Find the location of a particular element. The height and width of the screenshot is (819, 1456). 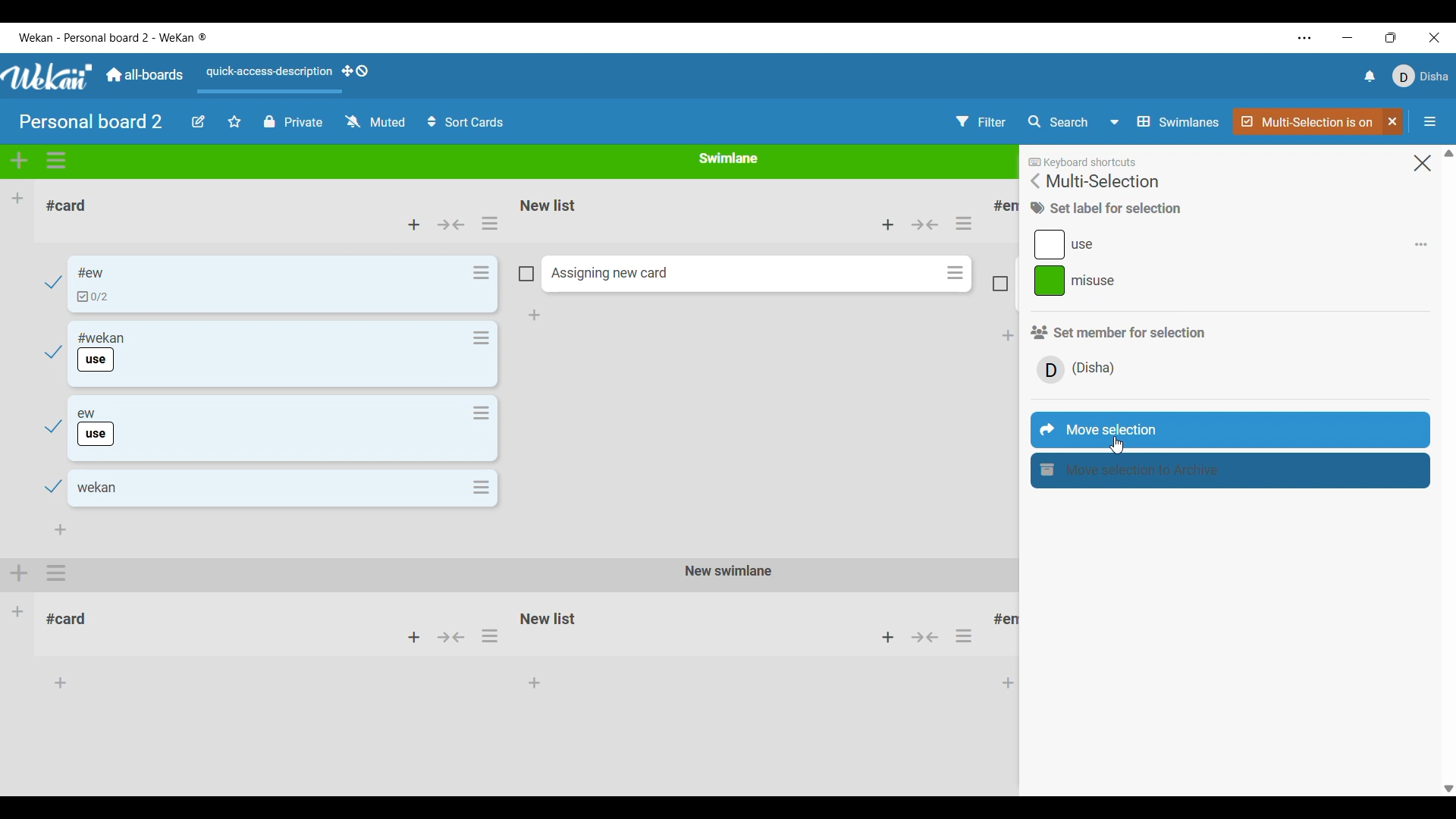

Swimlane actions is located at coordinates (56, 161).